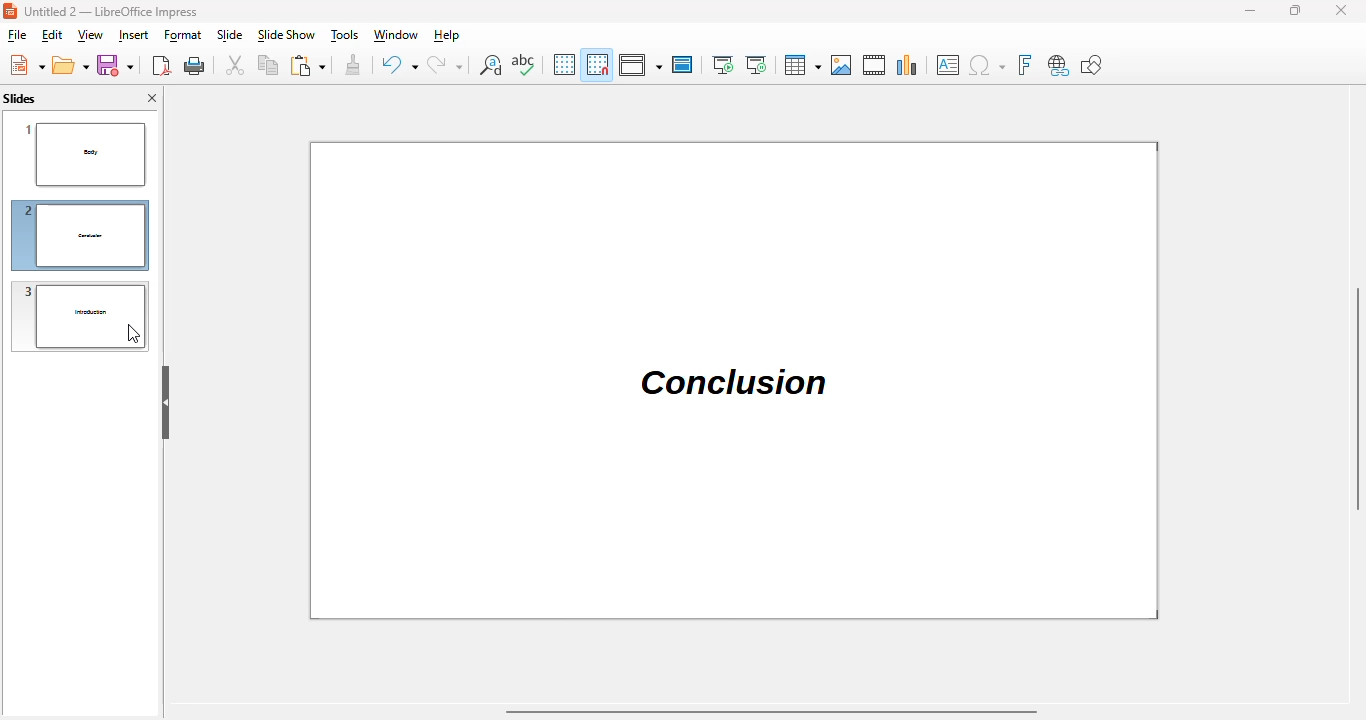 This screenshot has height=720, width=1366. What do you see at coordinates (987, 65) in the screenshot?
I see `insert special characters` at bounding box center [987, 65].